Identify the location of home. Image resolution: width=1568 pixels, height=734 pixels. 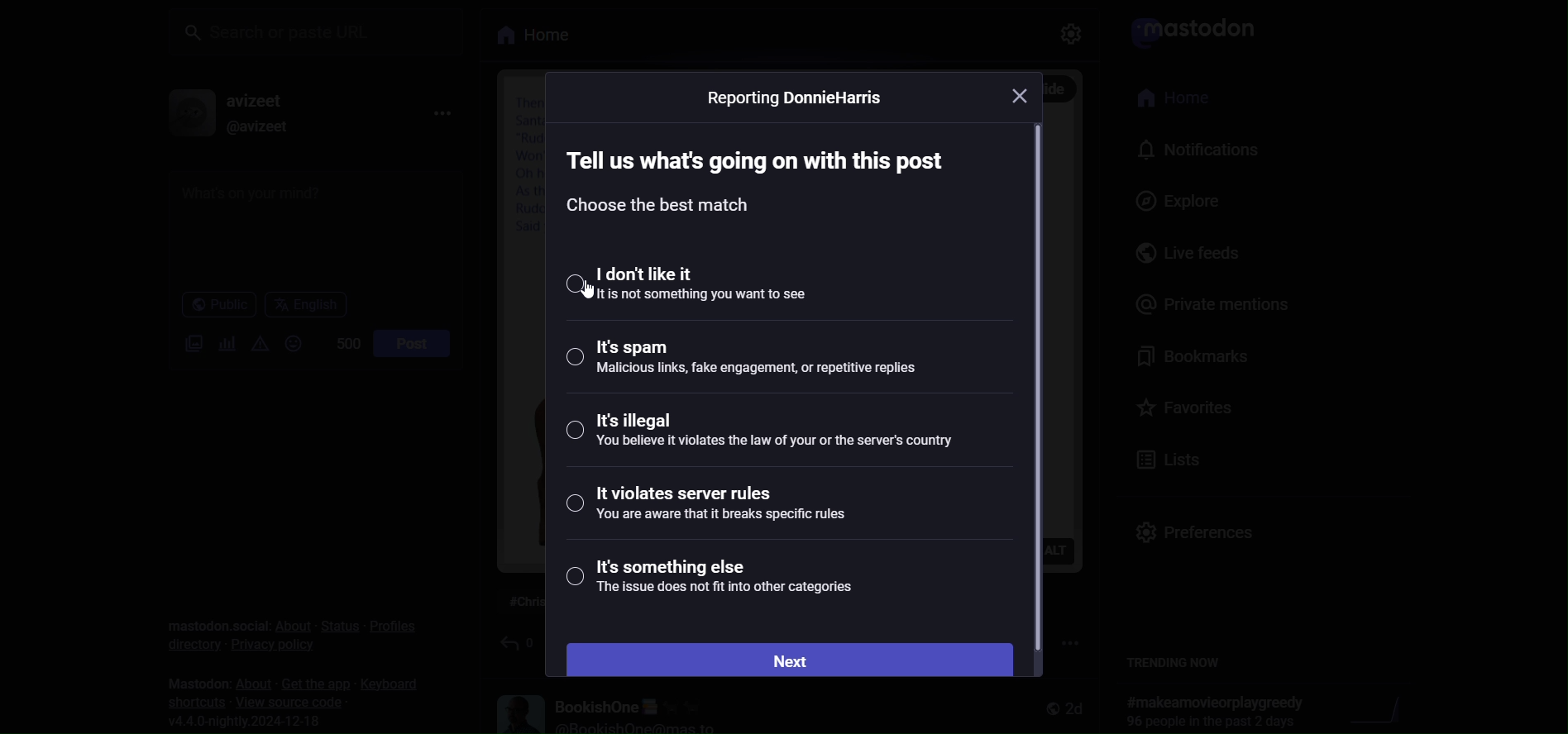
(1167, 98).